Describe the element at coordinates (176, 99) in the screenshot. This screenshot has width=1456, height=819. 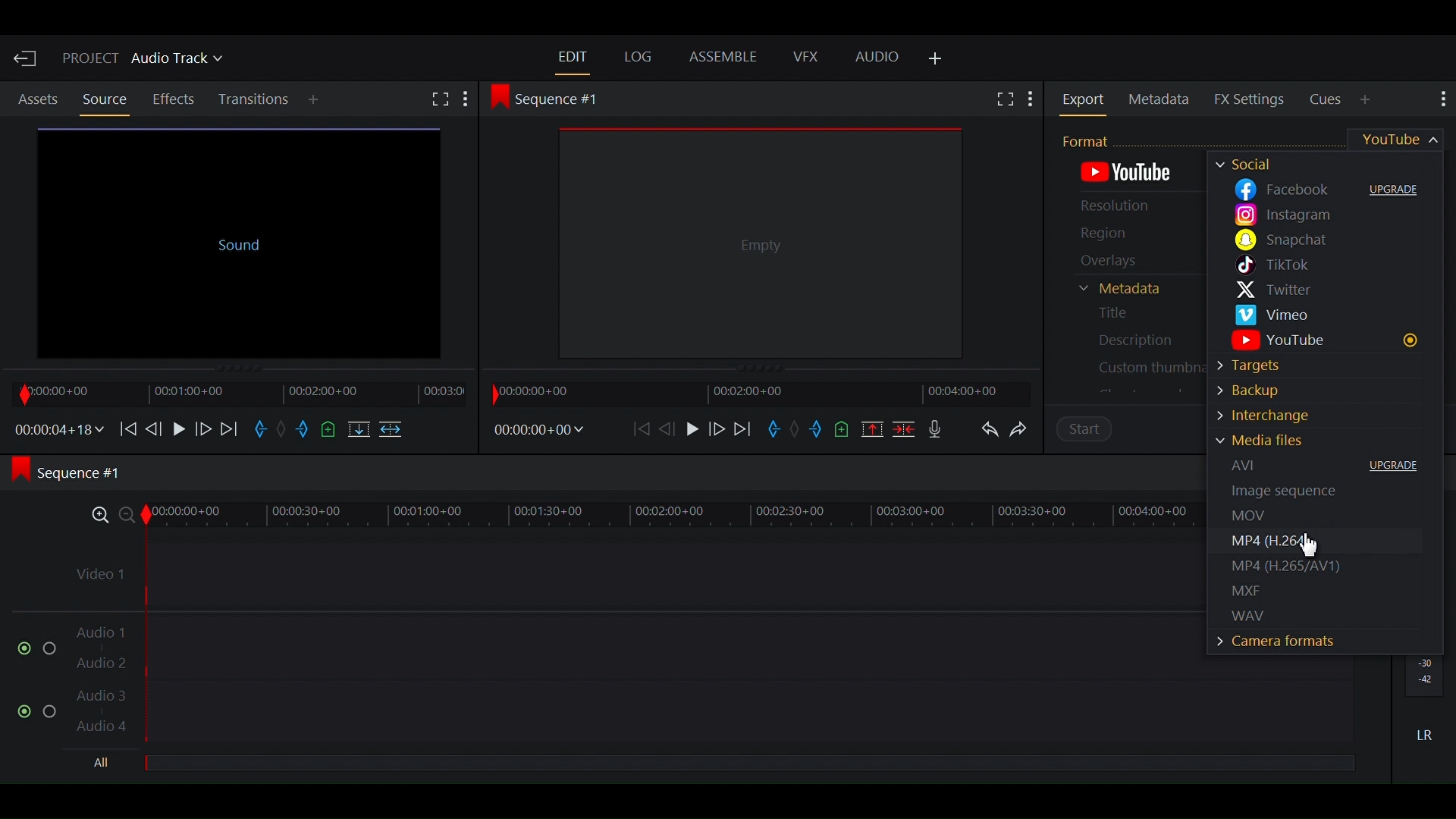
I see `Effects` at that location.